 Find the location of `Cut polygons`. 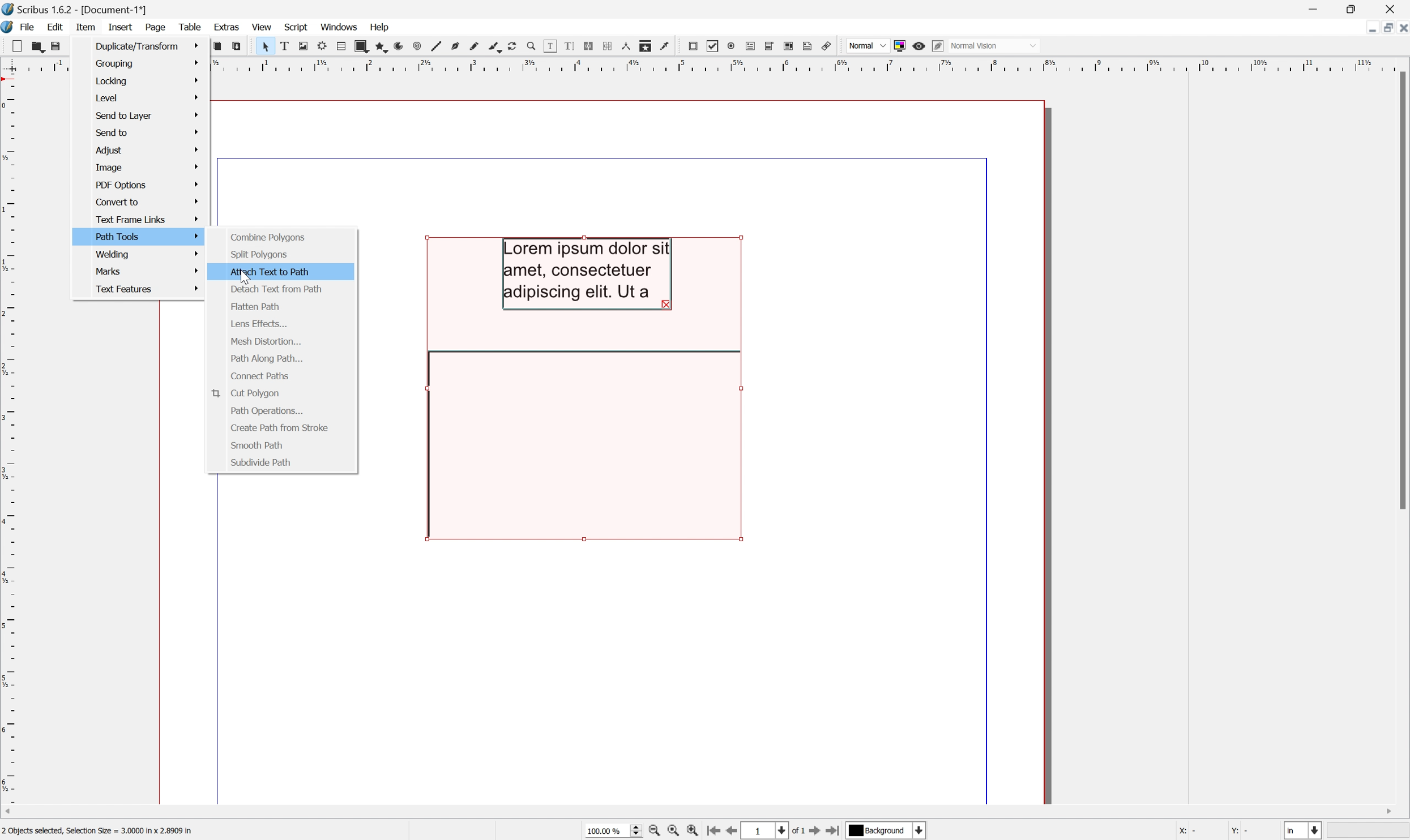

Cut polygons is located at coordinates (247, 394).